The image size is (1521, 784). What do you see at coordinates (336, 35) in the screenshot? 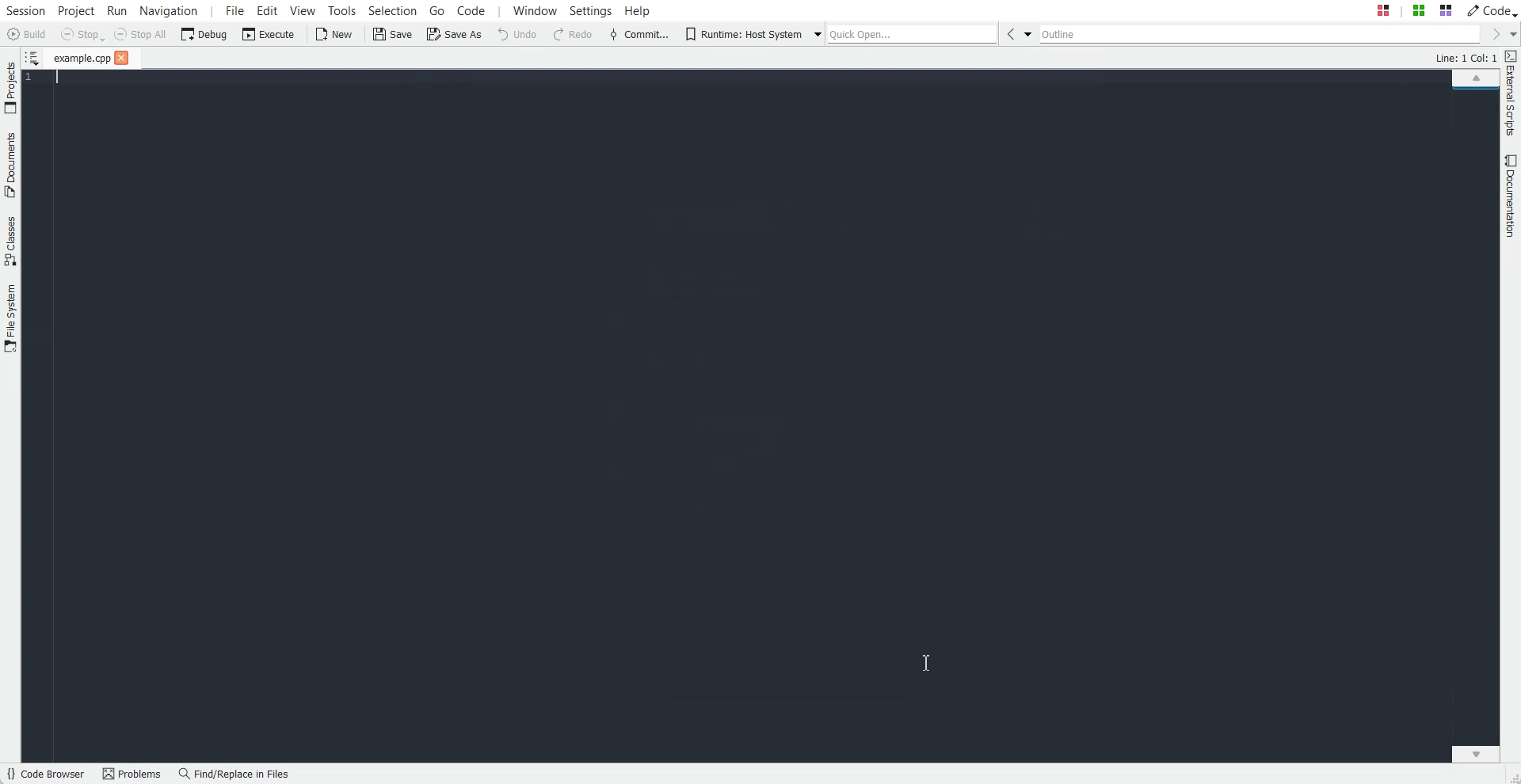
I see `New` at bounding box center [336, 35].